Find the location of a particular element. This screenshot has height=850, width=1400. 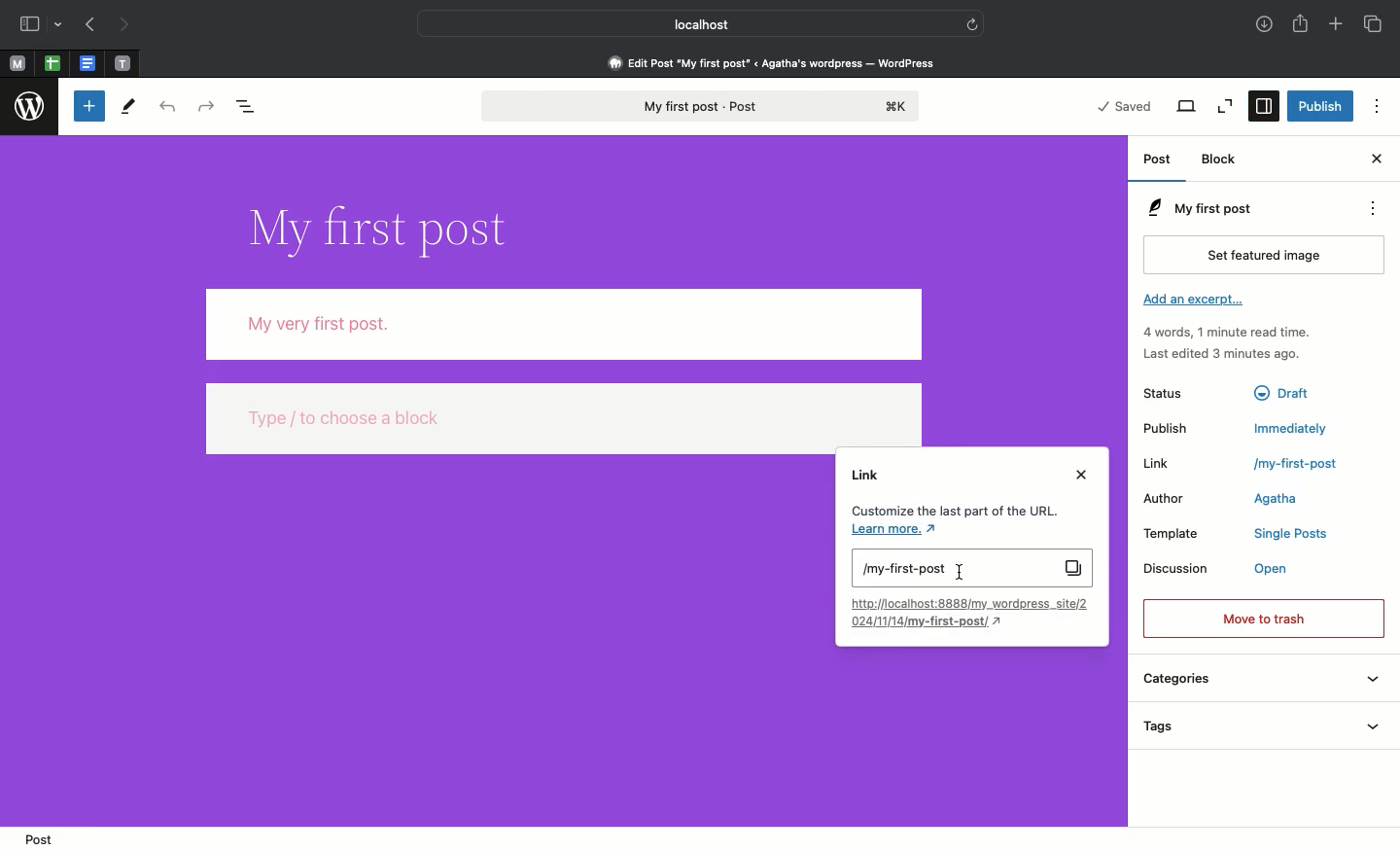

Open is located at coordinates (1277, 569).